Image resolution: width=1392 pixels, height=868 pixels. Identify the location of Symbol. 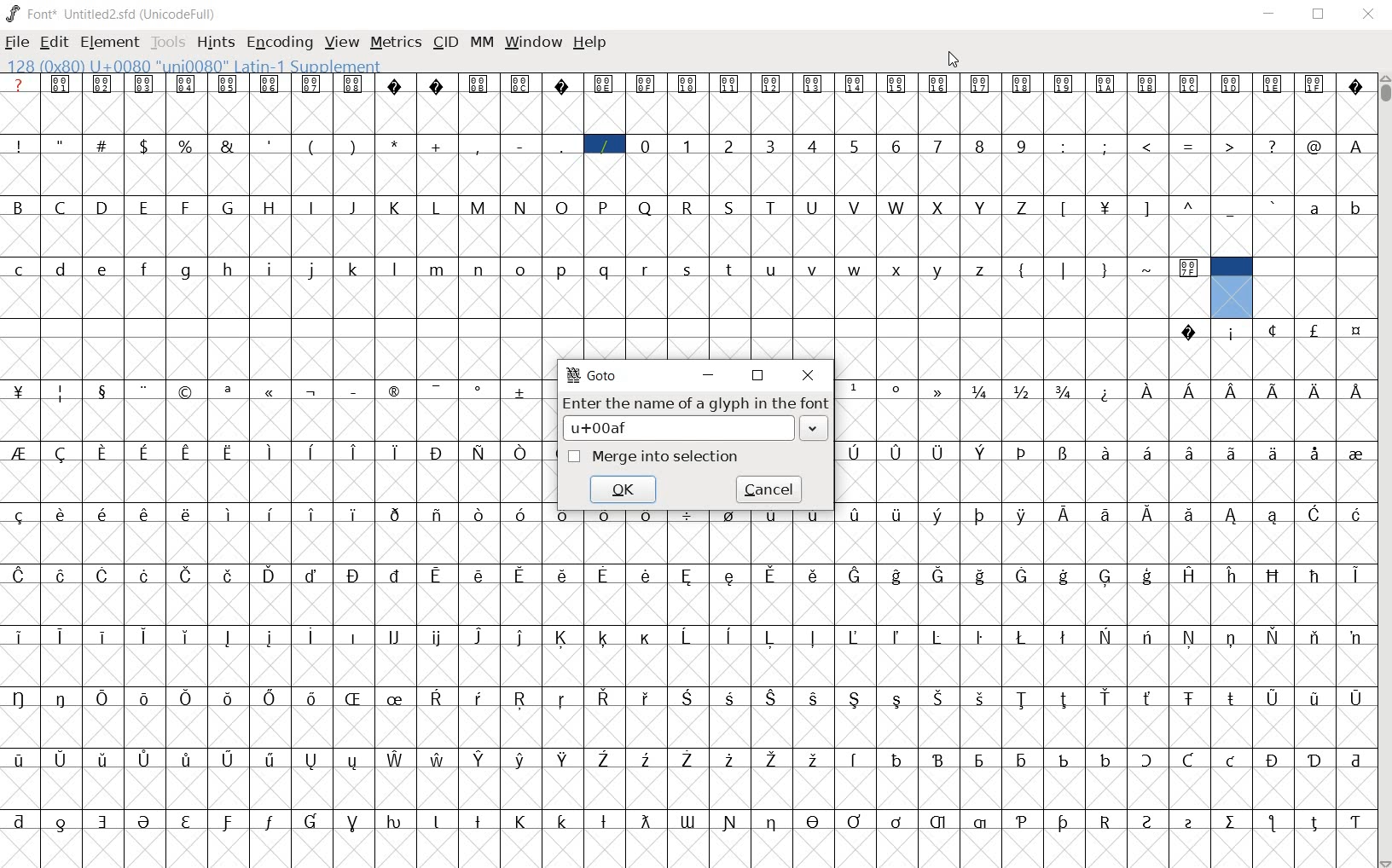
(313, 451).